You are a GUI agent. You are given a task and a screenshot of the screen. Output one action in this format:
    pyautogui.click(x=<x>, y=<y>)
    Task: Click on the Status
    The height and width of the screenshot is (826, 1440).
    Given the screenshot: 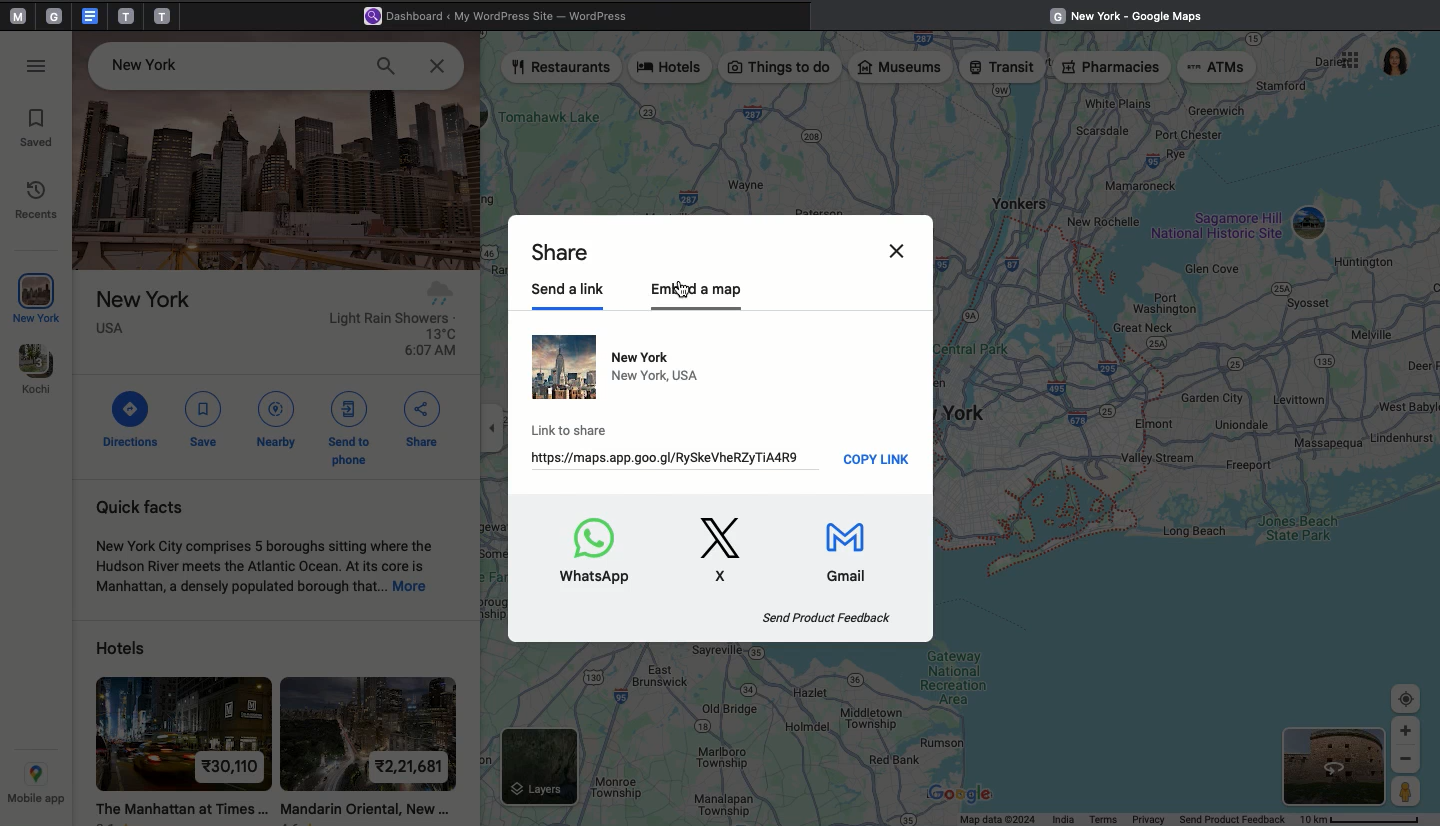 What is the action you would take?
    pyautogui.click(x=960, y=819)
    